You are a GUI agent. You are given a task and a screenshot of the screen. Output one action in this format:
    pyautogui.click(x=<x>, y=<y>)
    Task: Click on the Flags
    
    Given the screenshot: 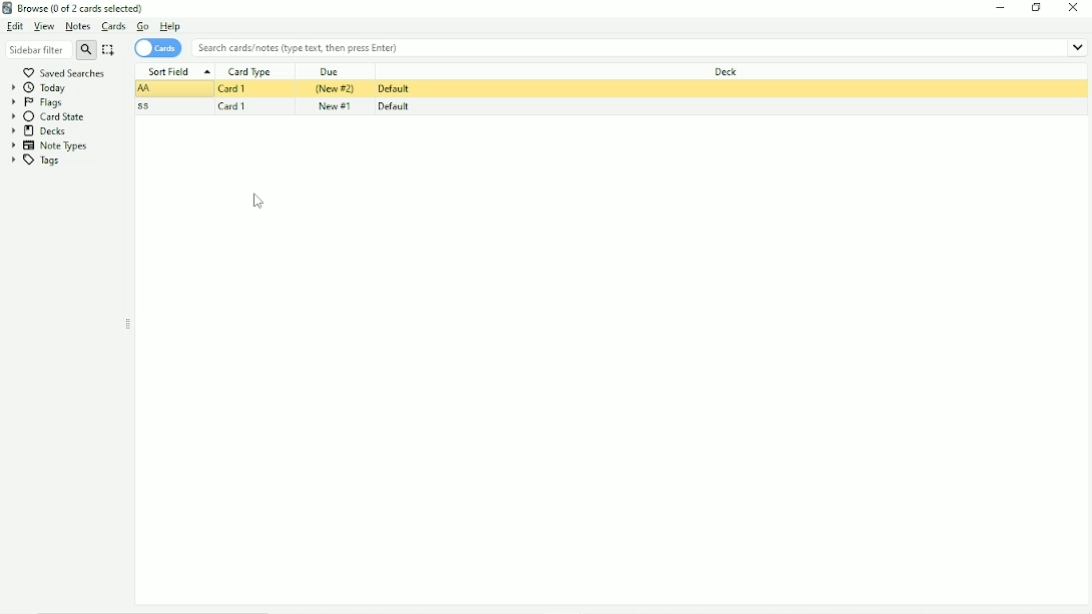 What is the action you would take?
    pyautogui.click(x=37, y=103)
    